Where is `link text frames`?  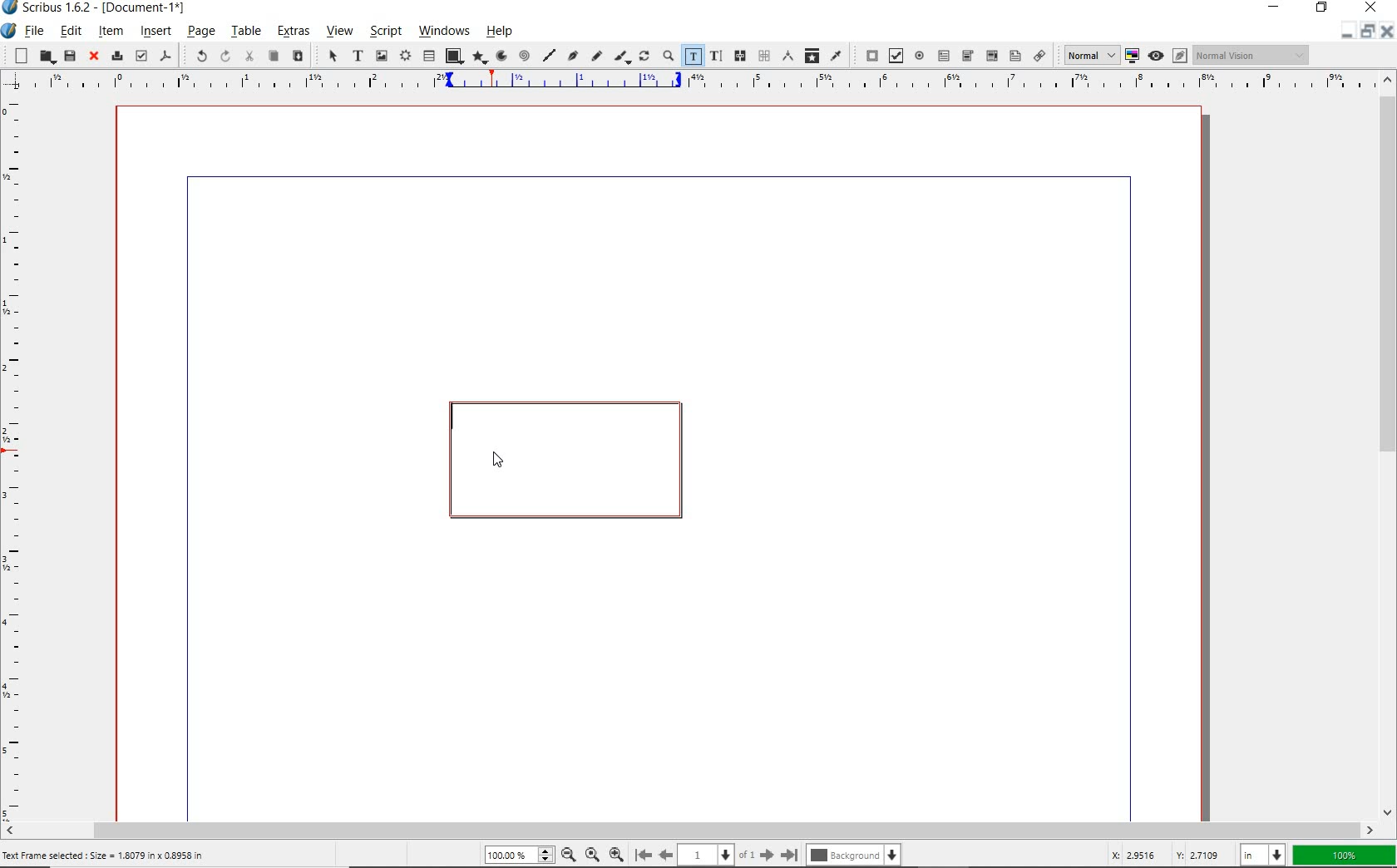
link text frames is located at coordinates (741, 56).